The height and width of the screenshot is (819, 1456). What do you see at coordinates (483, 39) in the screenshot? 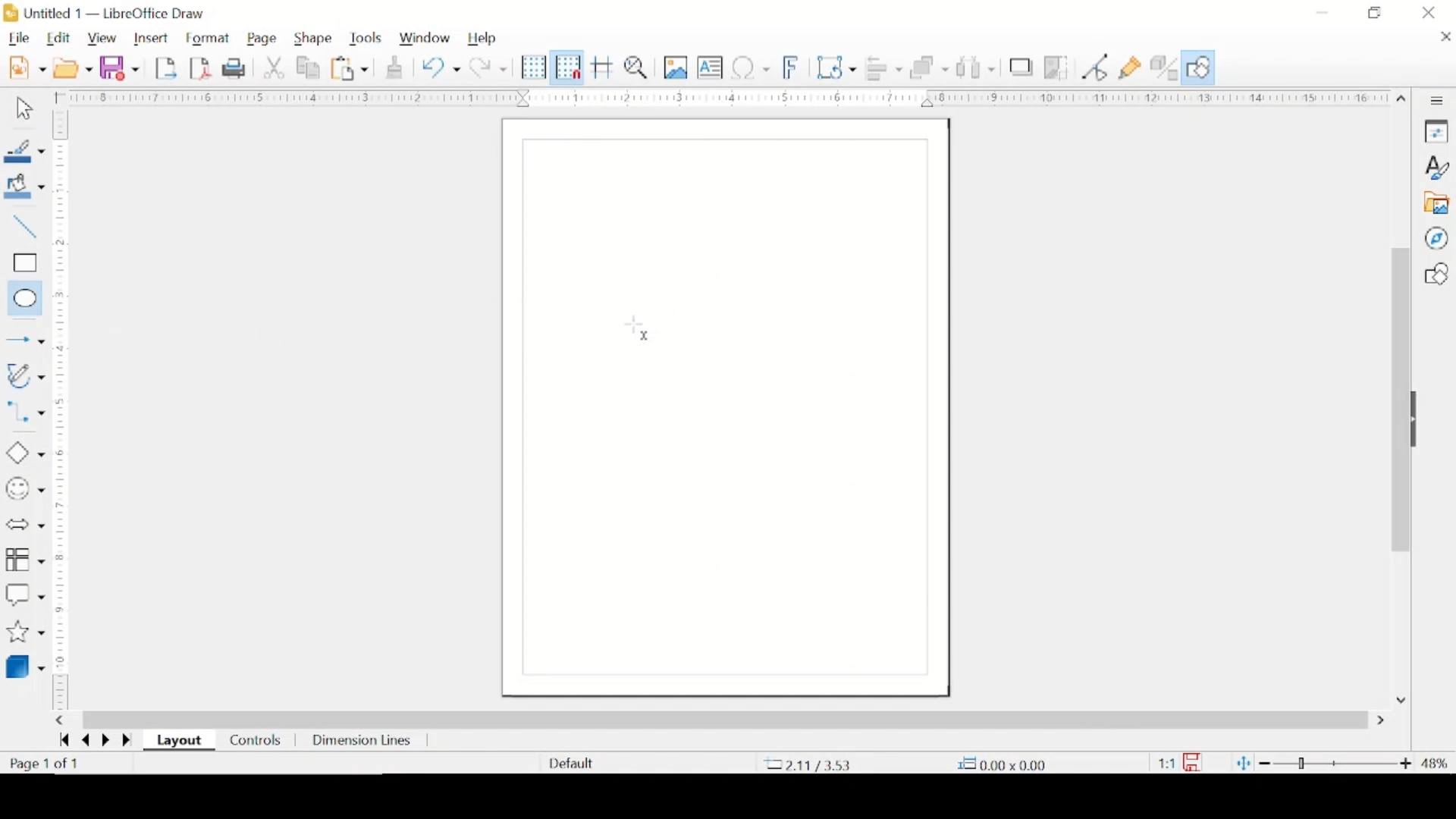
I see `help` at bounding box center [483, 39].